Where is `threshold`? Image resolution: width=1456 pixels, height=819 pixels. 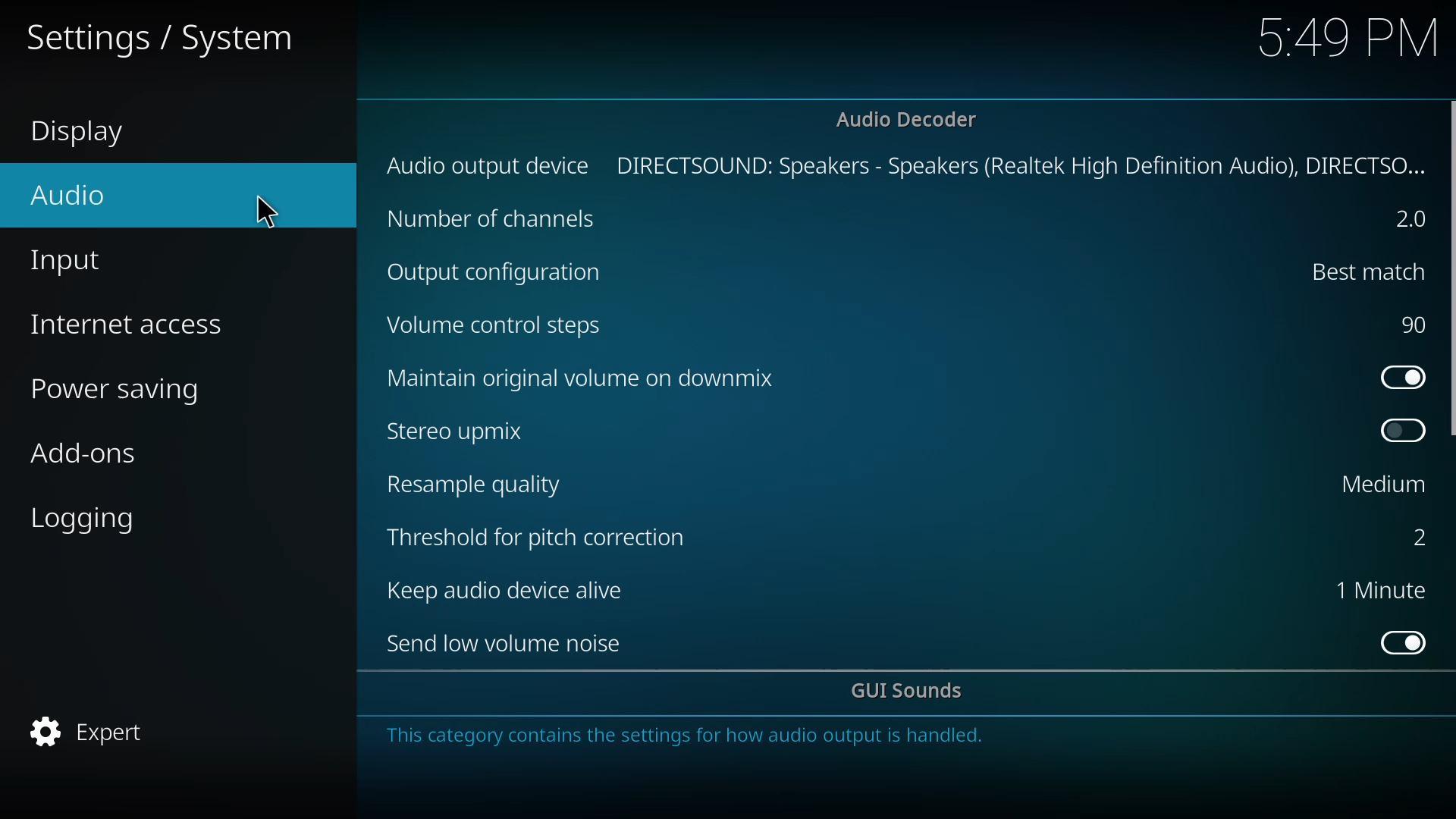
threshold is located at coordinates (547, 536).